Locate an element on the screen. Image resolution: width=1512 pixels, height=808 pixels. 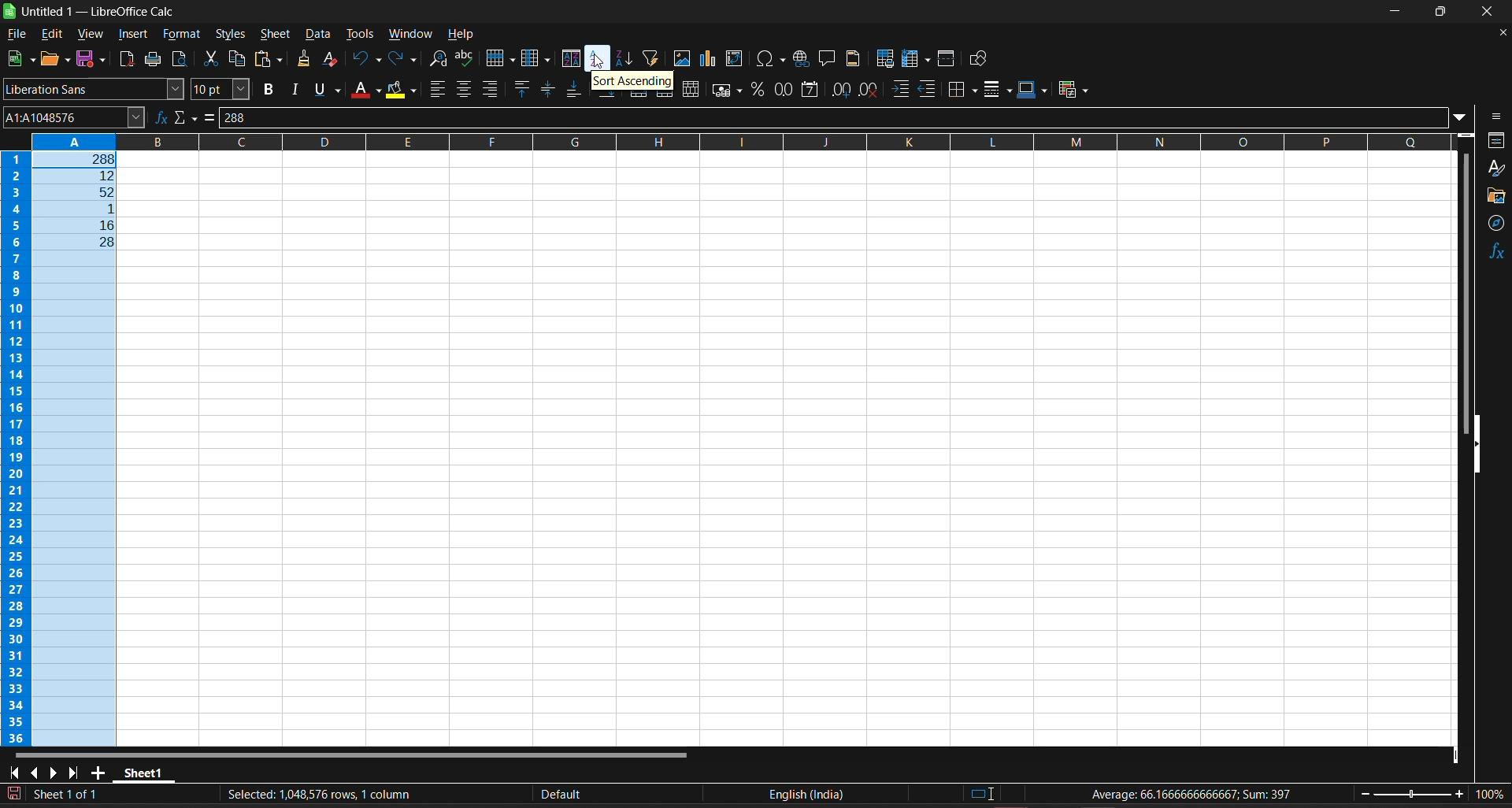
zoom slider is located at coordinates (1412, 797).